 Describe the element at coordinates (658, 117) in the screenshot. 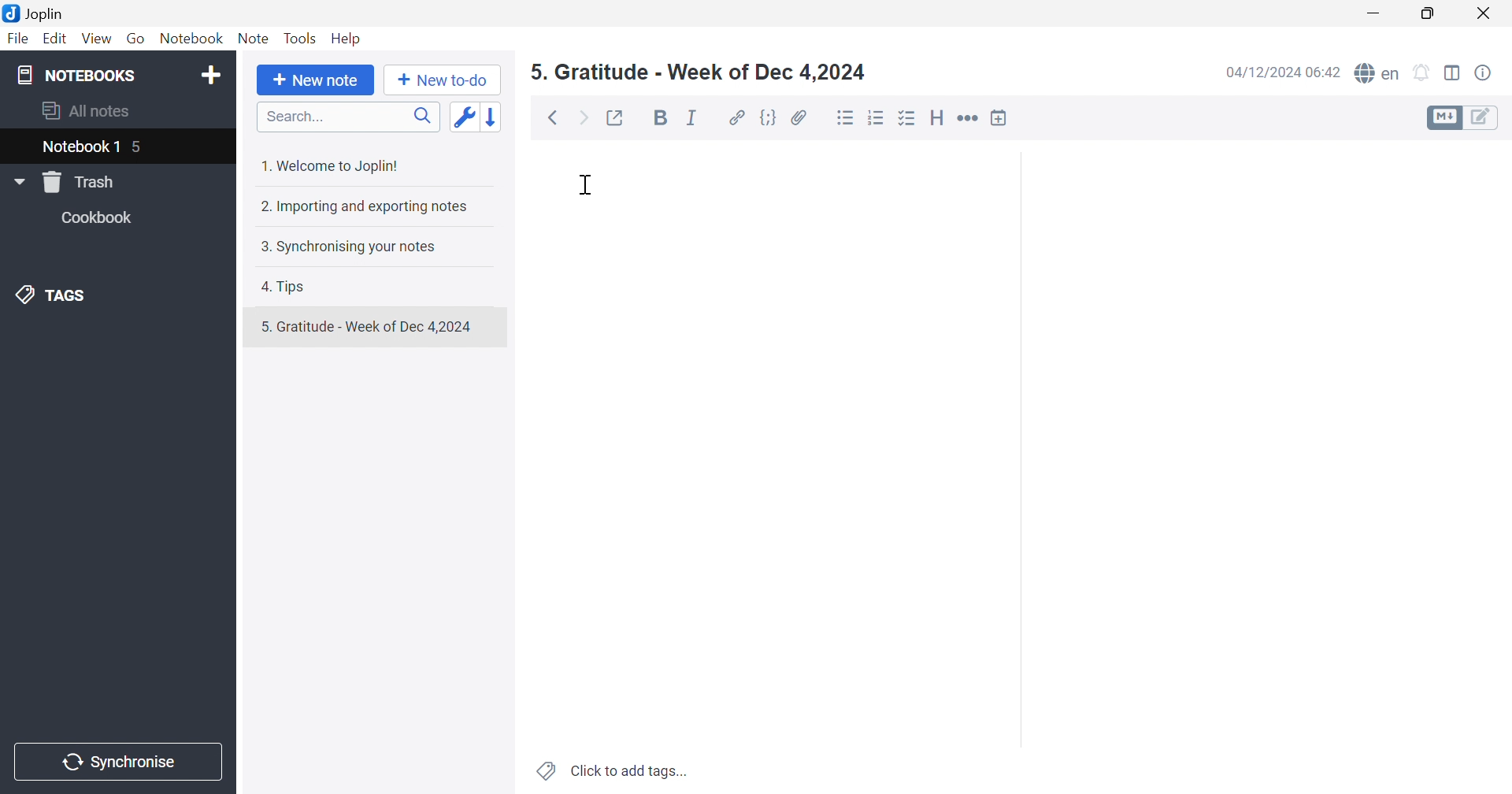

I see `Bold` at that location.